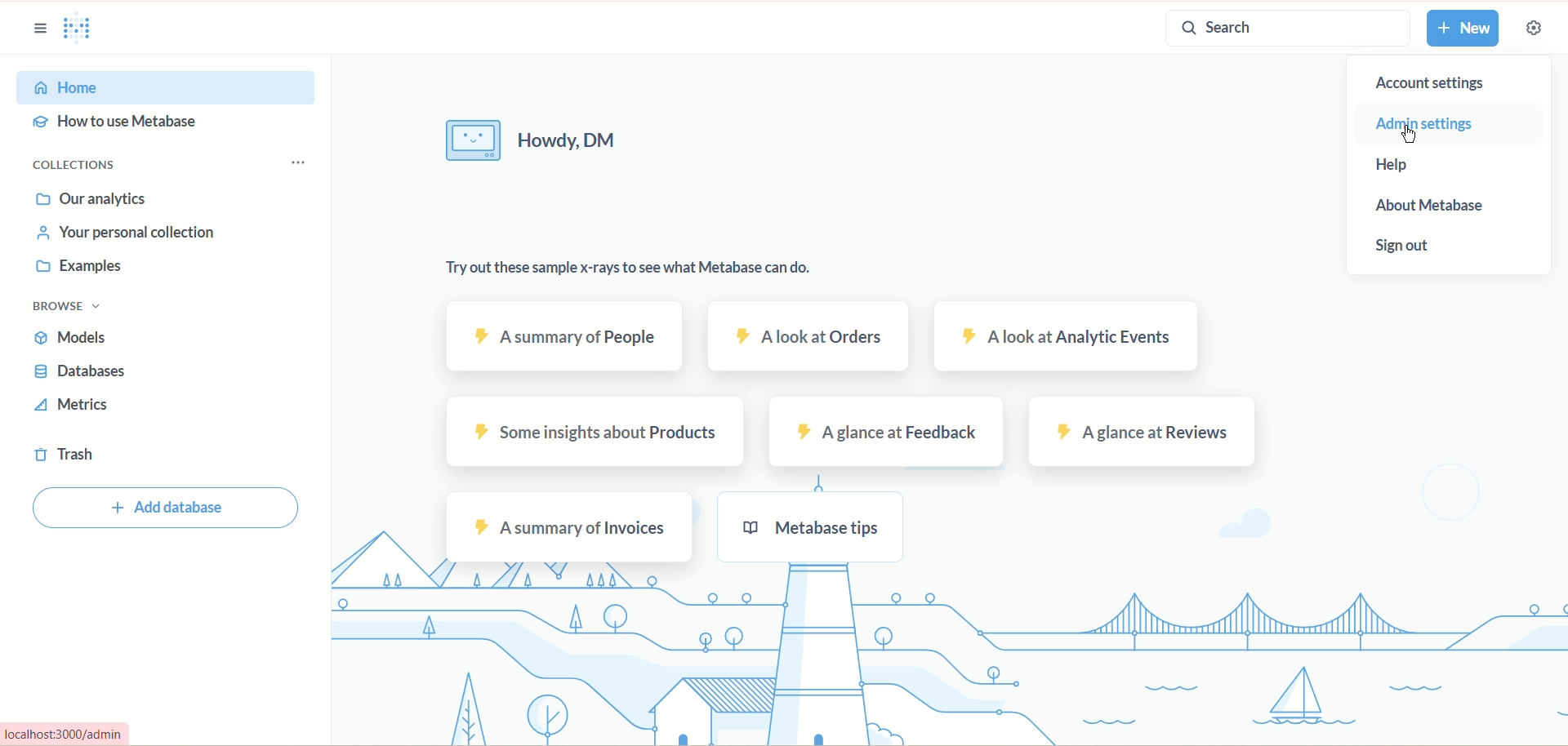  Describe the element at coordinates (1408, 133) in the screenshot. I see `cursor` at that location.